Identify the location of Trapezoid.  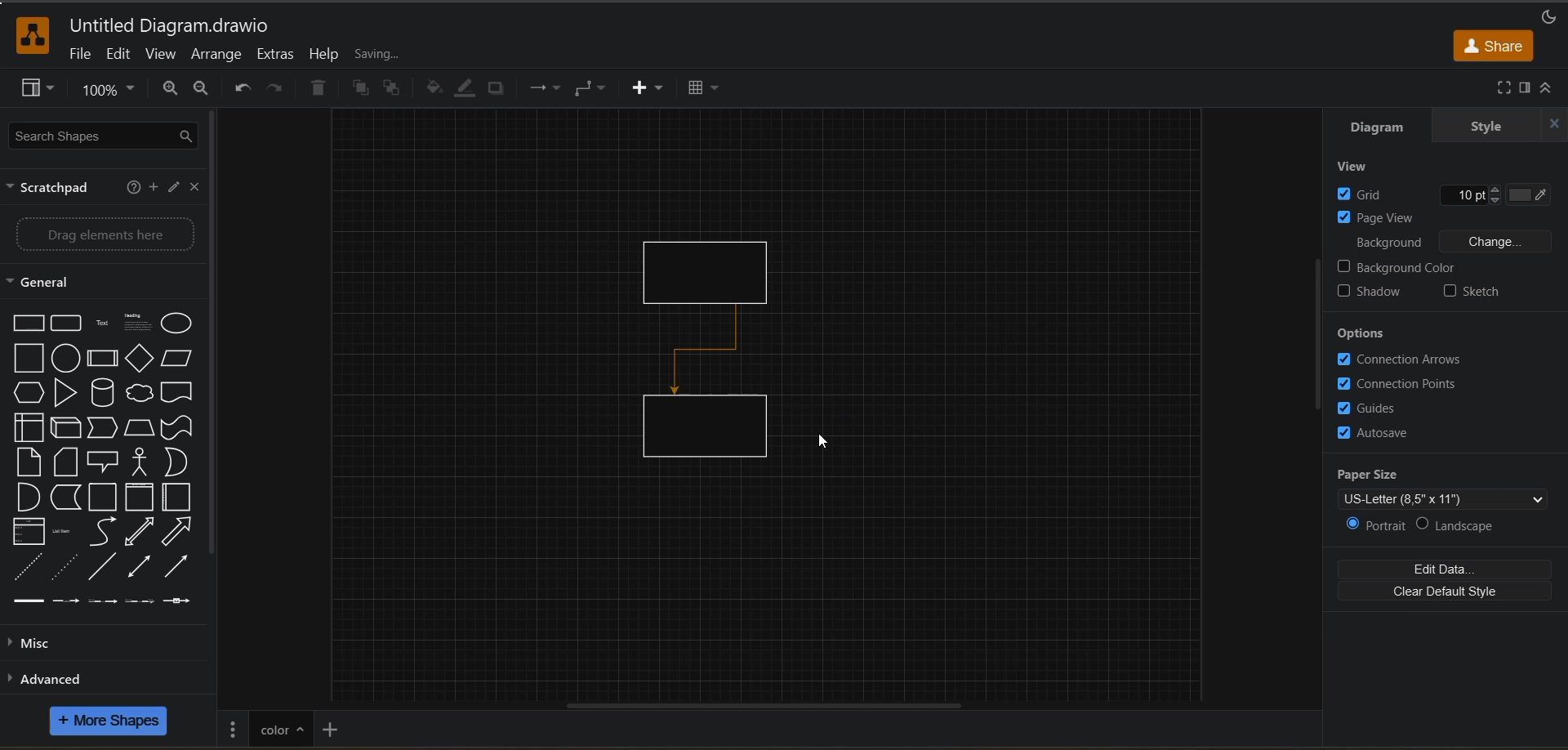
(141, 429).